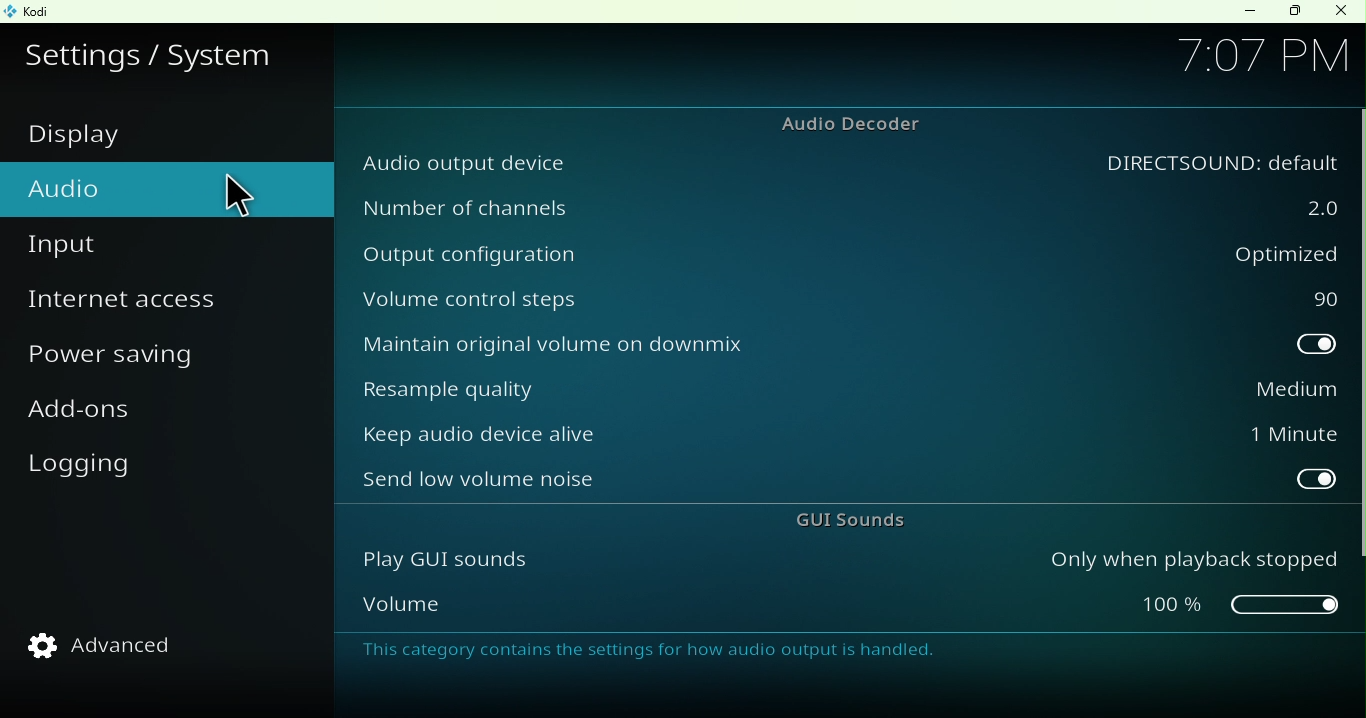 The image size is (1366, 718). I want to click on Advanced, so click(115, 652).